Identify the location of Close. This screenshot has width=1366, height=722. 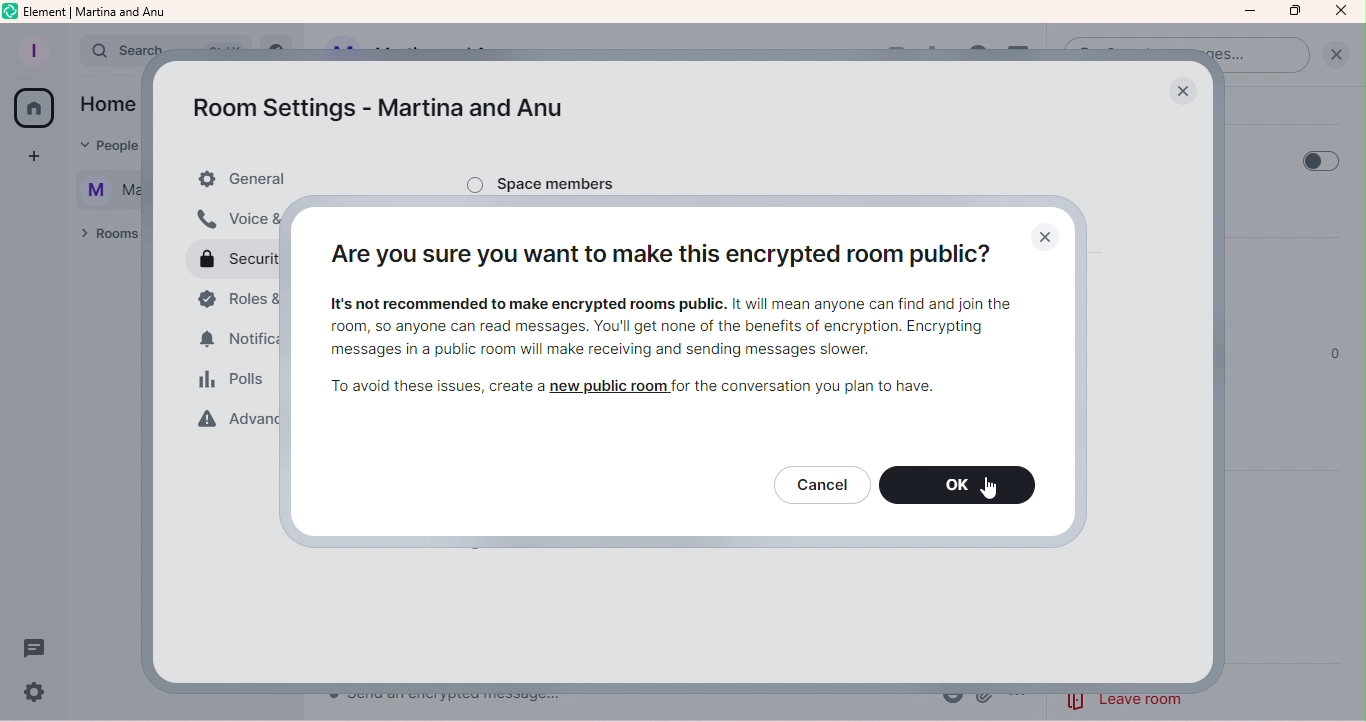
(1051, 232).